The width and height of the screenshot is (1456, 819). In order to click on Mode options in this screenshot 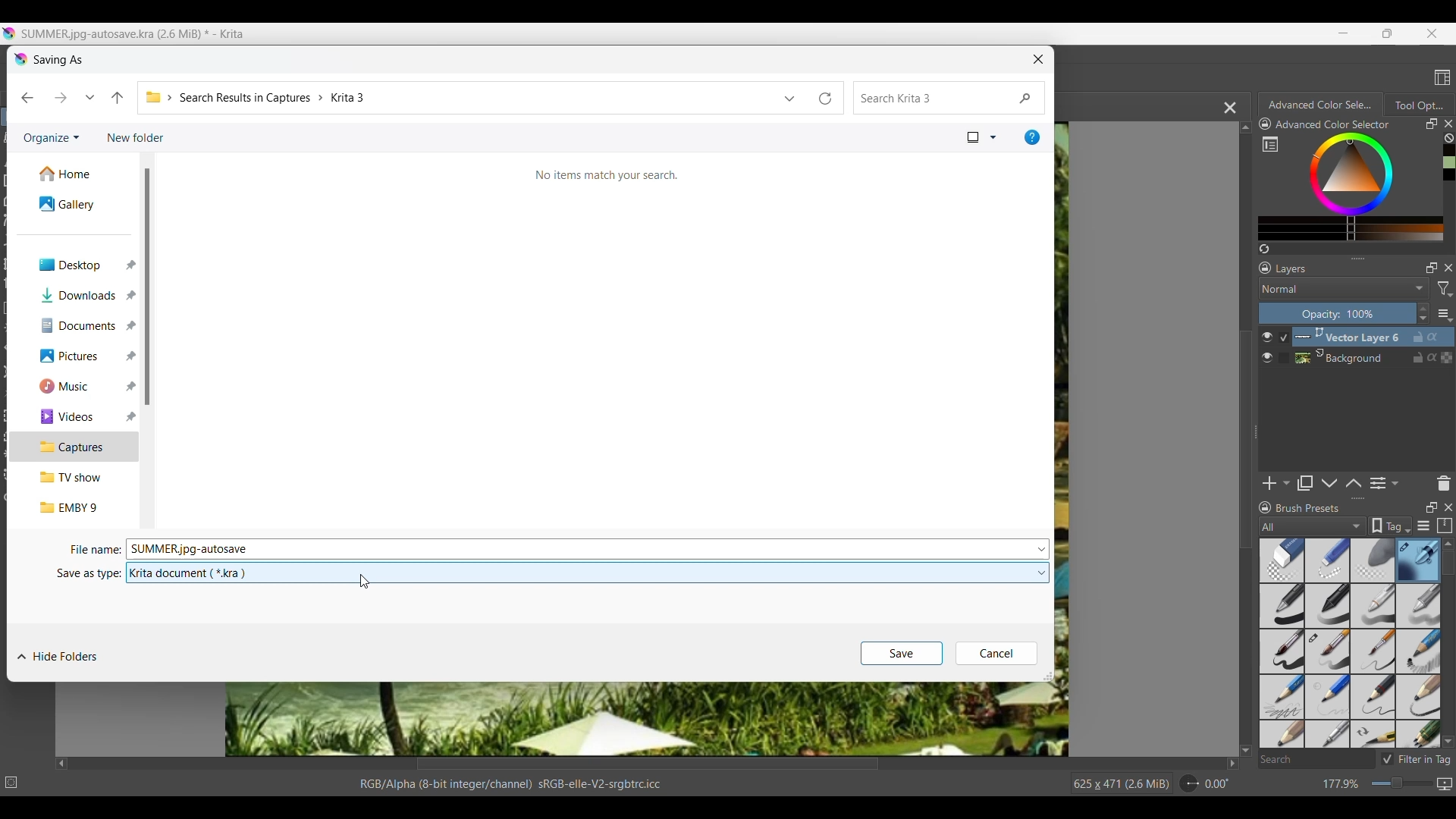, I will do `click(1345, 288)`.